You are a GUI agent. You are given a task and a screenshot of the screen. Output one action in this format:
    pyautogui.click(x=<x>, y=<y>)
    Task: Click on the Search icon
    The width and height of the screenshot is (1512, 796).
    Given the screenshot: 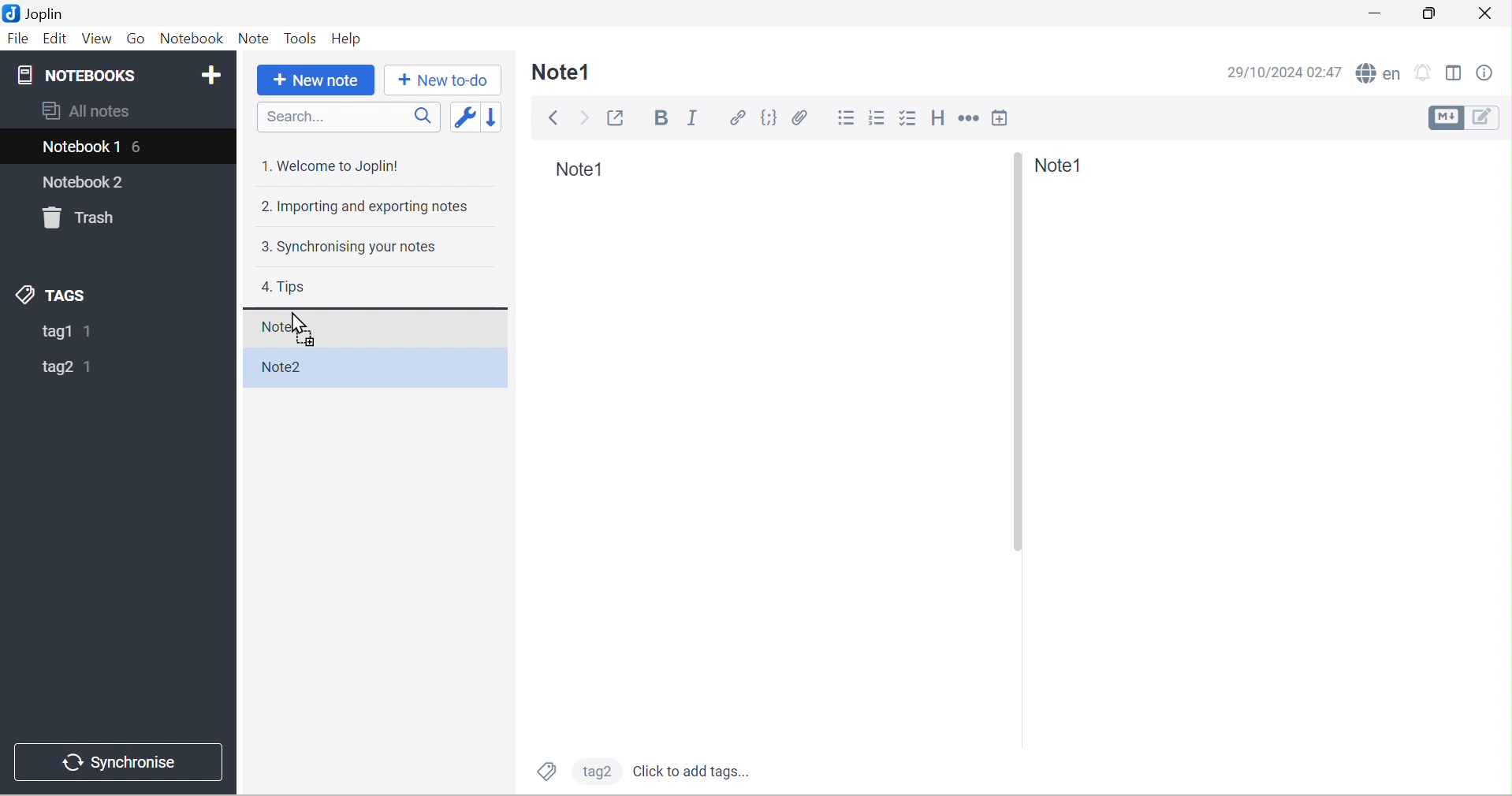 What is the action you would take?
    pyautogui.click(x=422, y=117)
    